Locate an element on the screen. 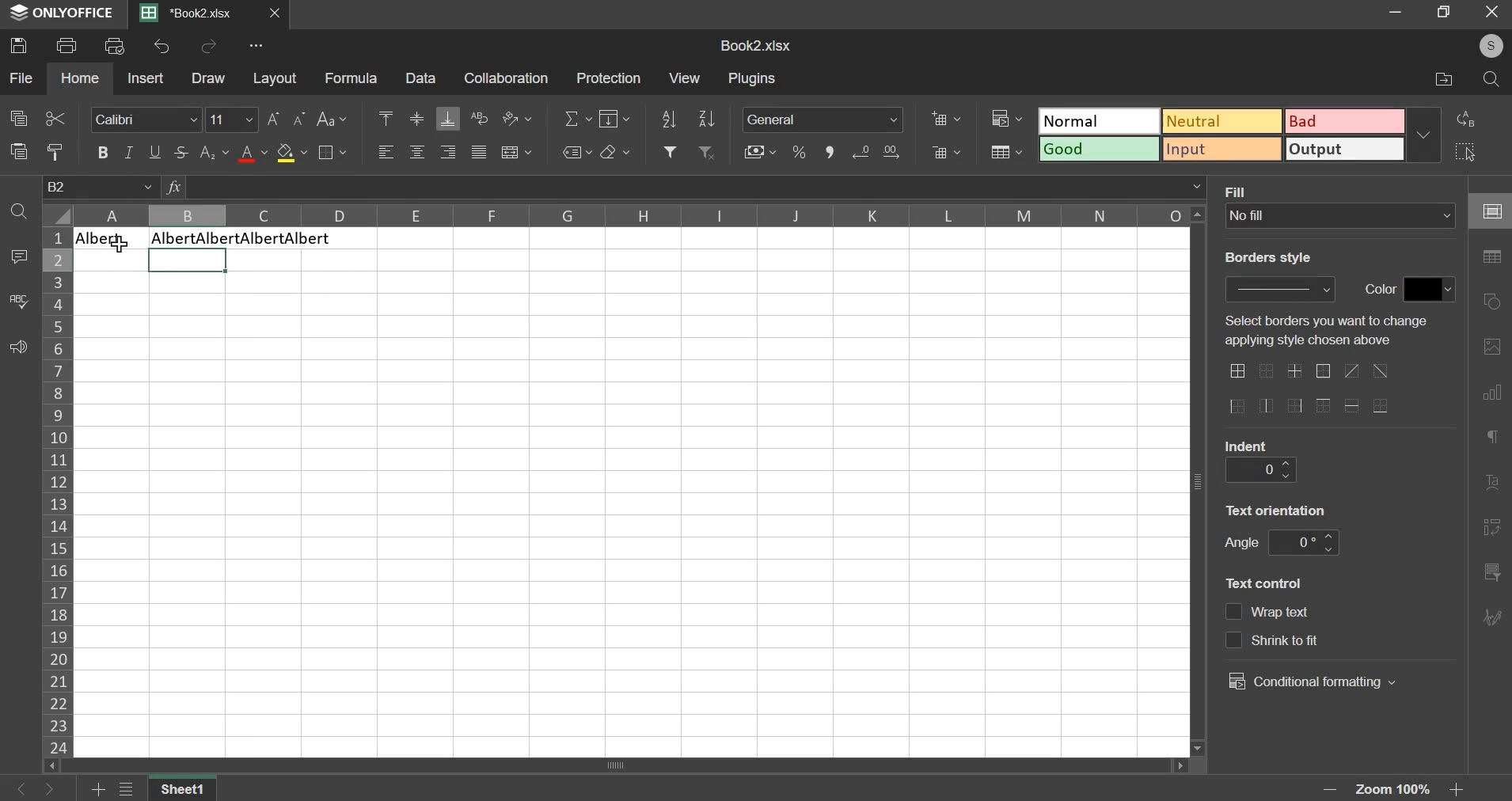  text is located at coordinates (1286, 638).